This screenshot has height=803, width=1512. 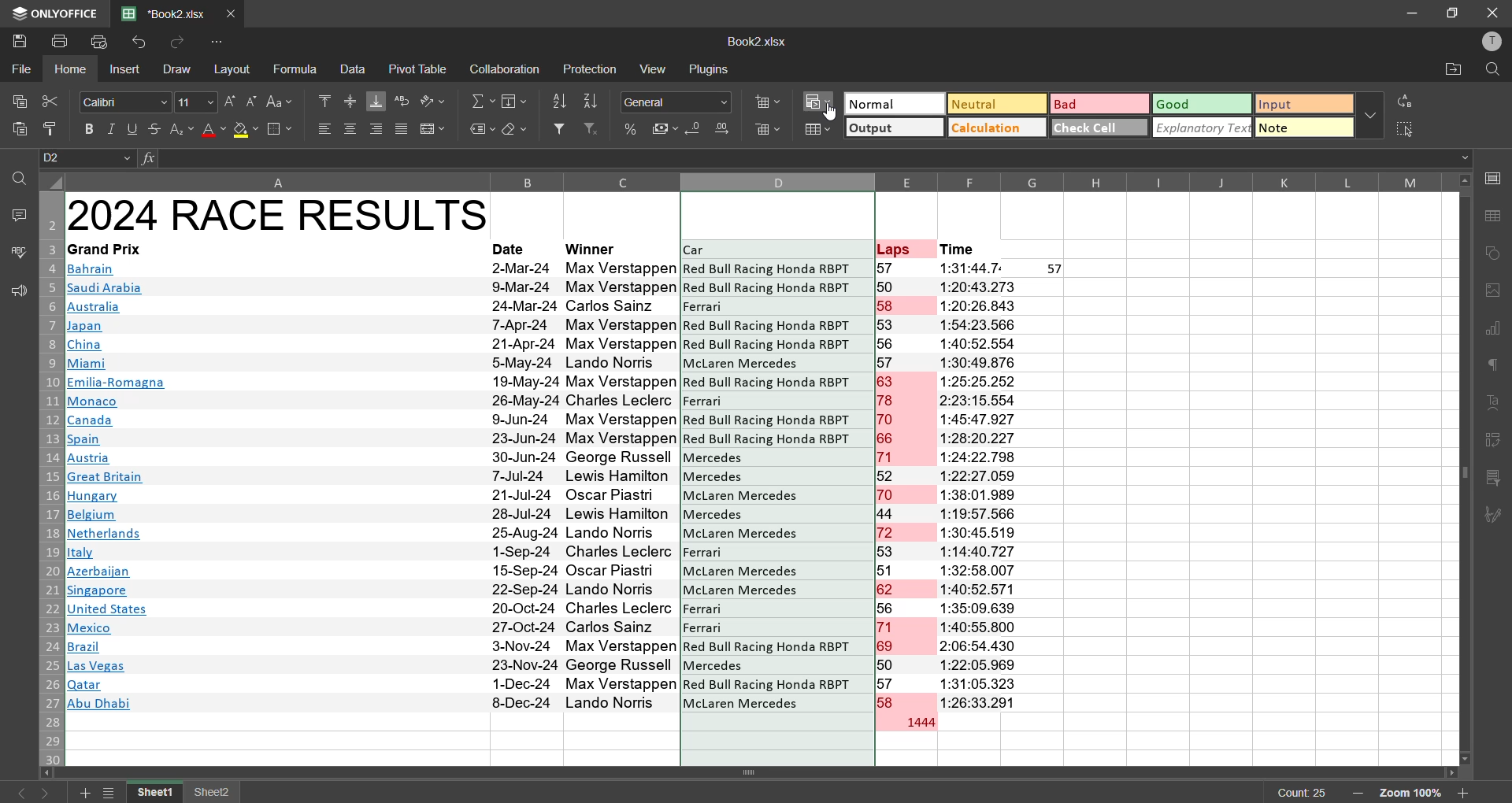 I want to click on accounting, so click(x=665, y=126).